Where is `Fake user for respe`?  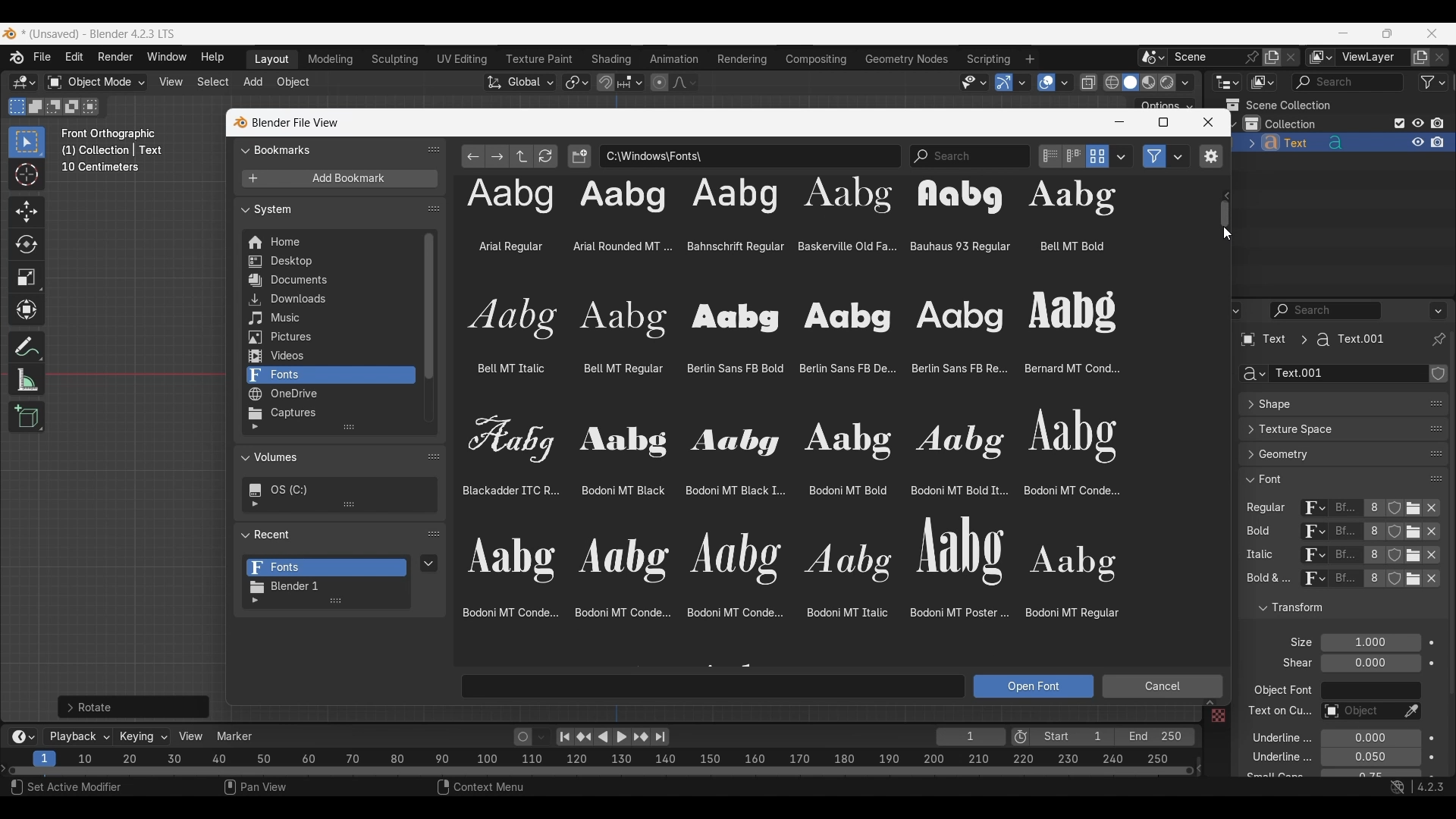 Fake user for respe is located at coordinates (1394, 511).